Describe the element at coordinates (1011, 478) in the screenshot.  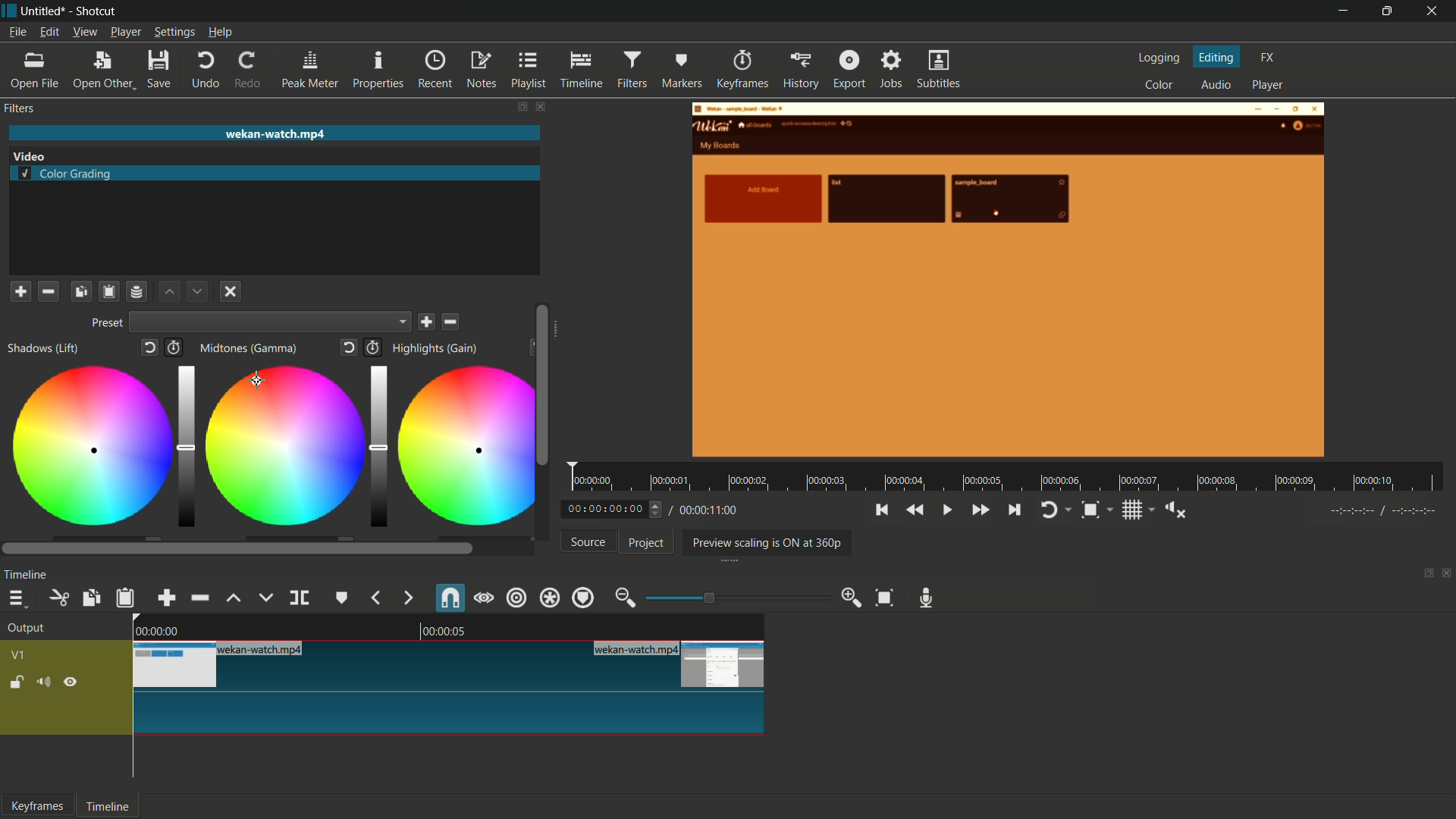
I see `time` at that location.